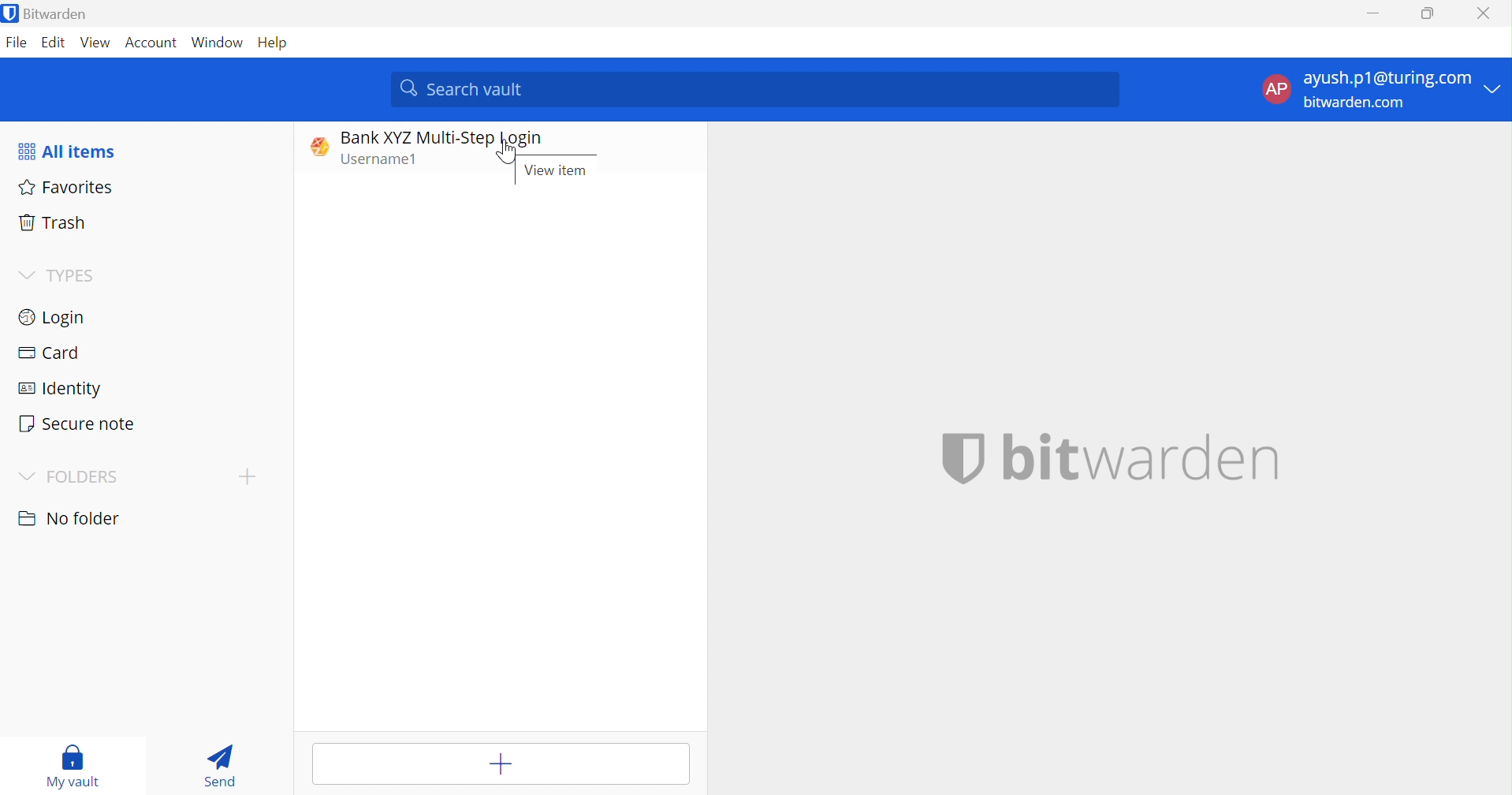  What do you see at coordinates (248, 476) in the screenshot?
I see `Add folder` at bounding box center [248, 476].